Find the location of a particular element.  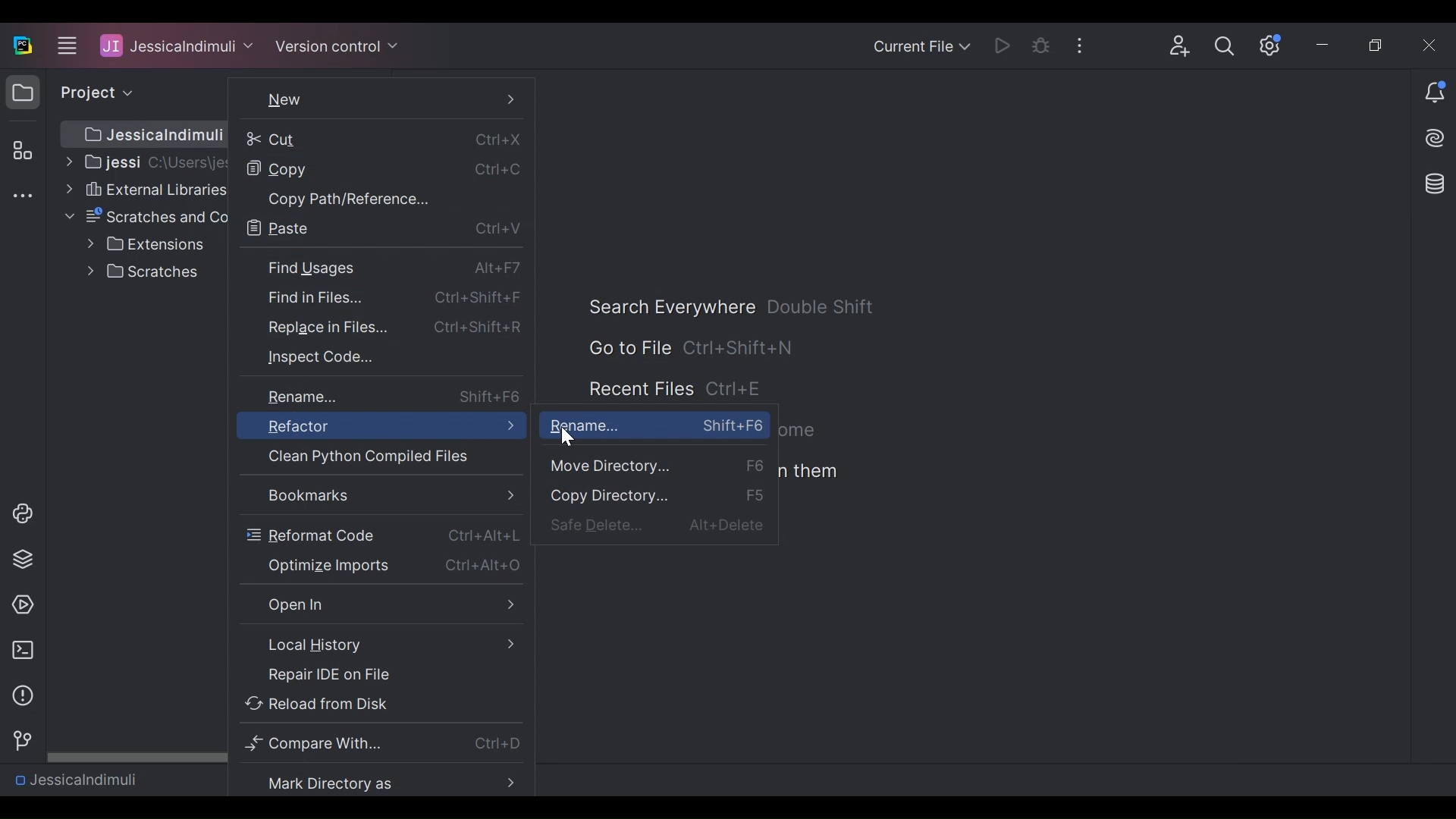

Open in is located at coordinates (378, 605).